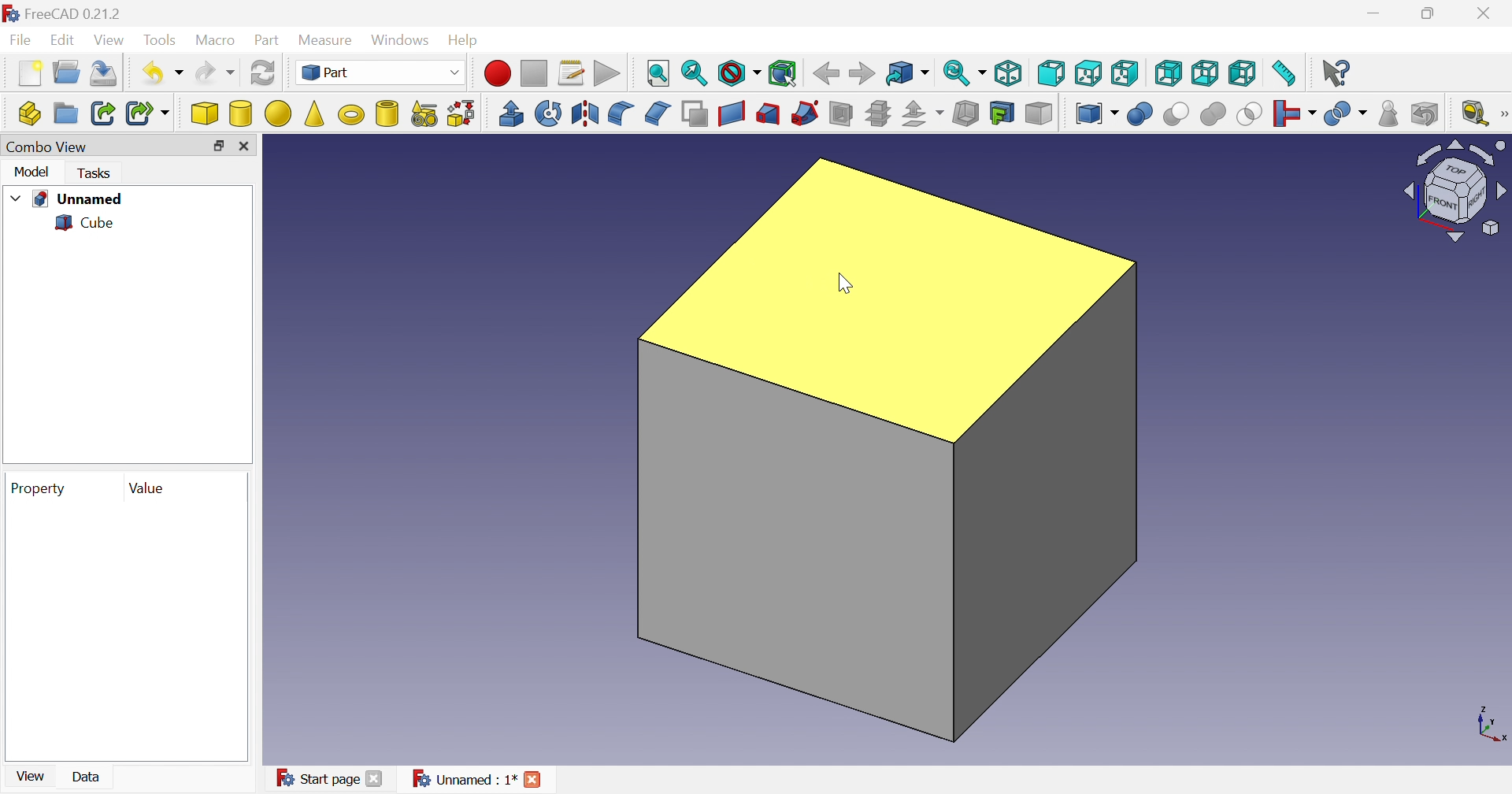 The width and height of the screenshot is (1512, 794). What do you see at coordinates (1251, 113) in the screenshot?
I see `Intersection` at bounding box center [1251, 113].